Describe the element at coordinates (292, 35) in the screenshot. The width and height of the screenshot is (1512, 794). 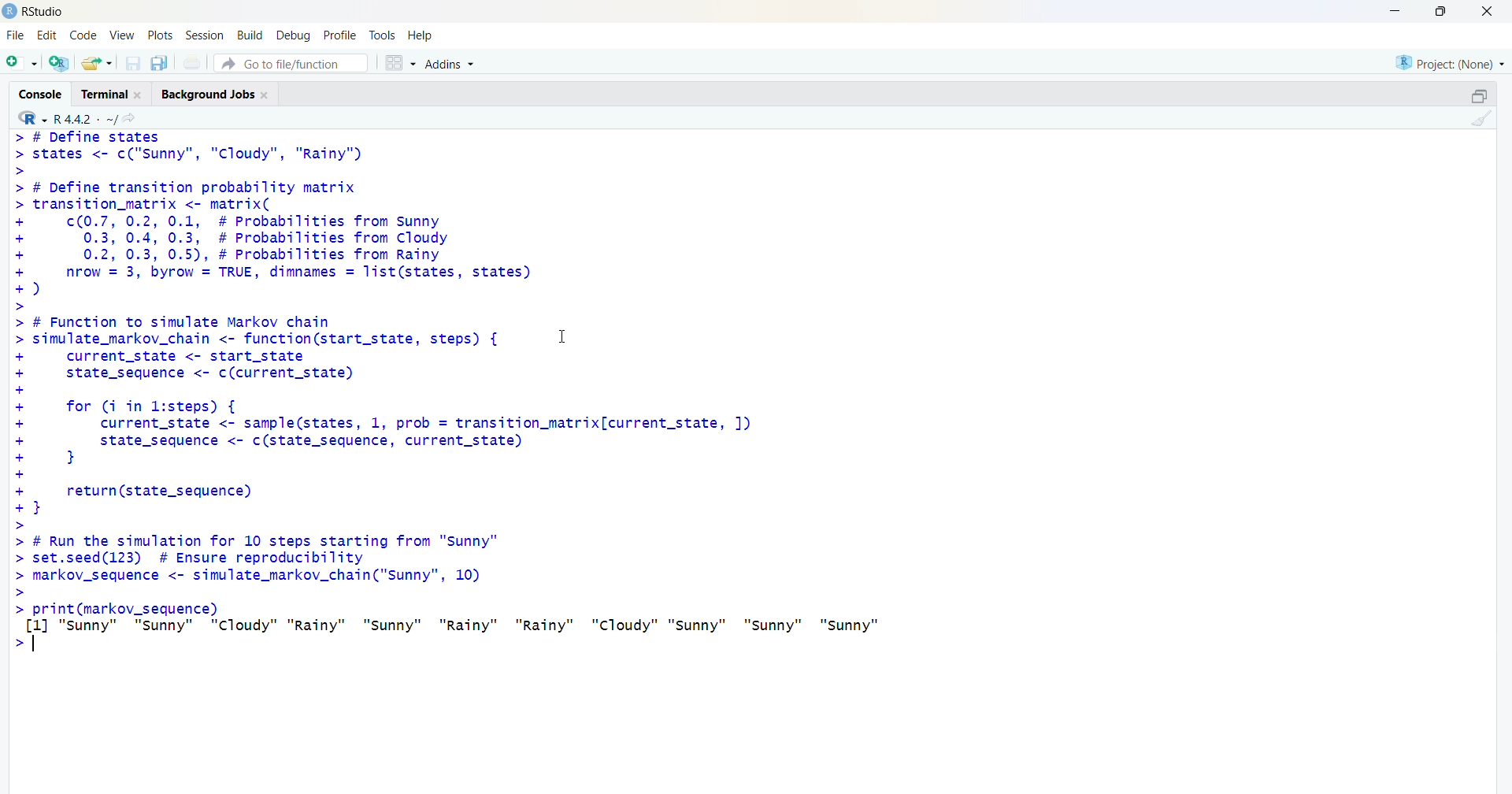
I see `debug` at that location.